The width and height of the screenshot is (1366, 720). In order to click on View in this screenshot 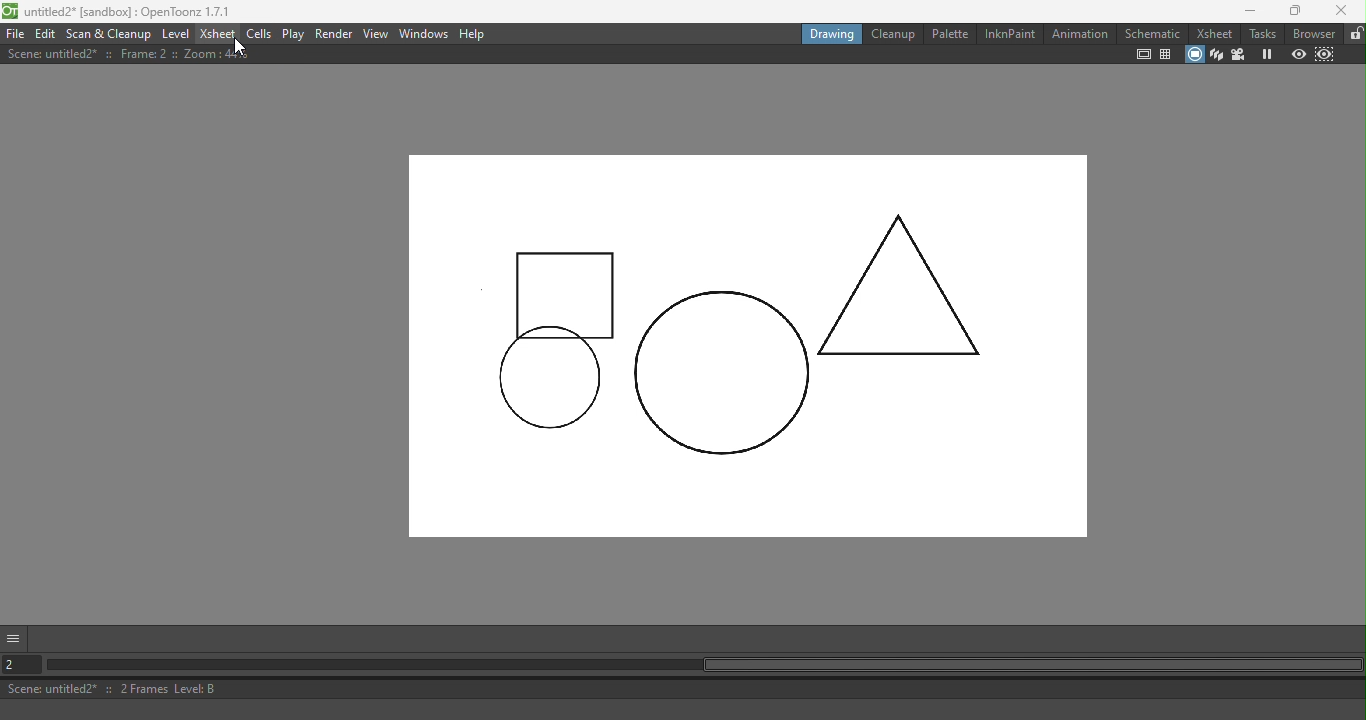, I will do `click(377, 33)`.